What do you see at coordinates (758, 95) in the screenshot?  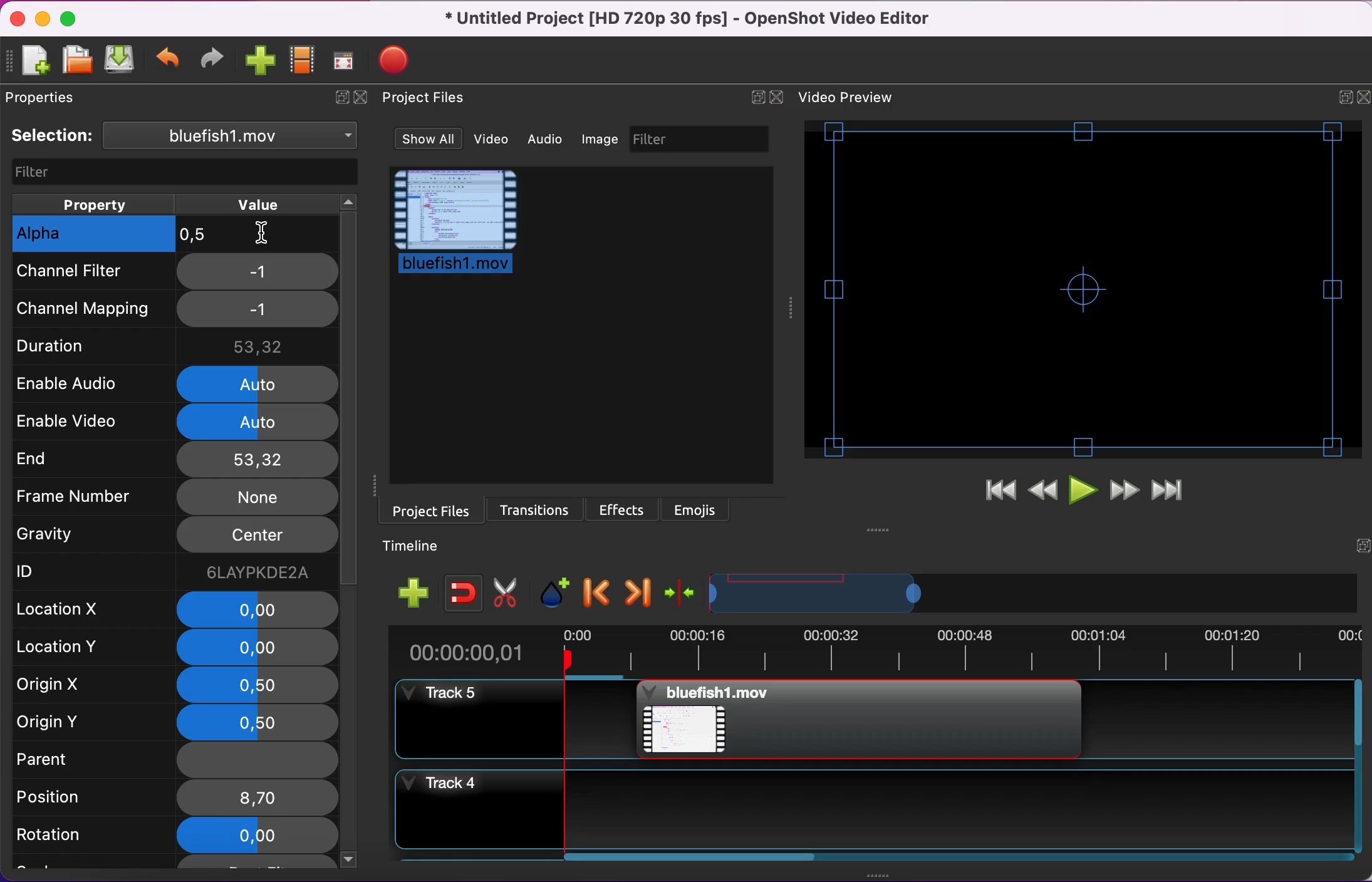 I see `expand/hide` at bounding box center [758, 95].